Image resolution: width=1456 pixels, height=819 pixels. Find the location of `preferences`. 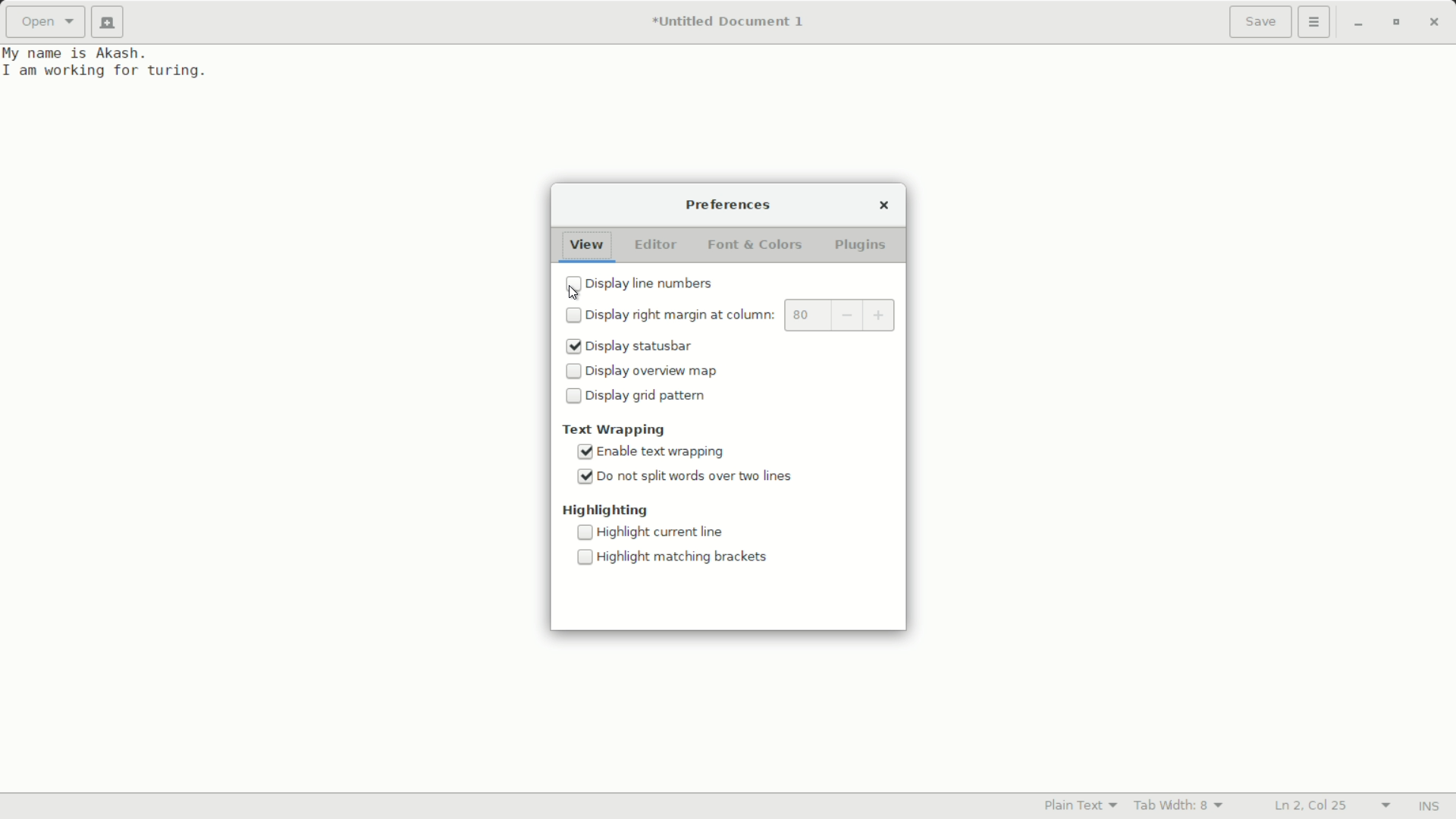

preferences is located at coordinates (730, 206).